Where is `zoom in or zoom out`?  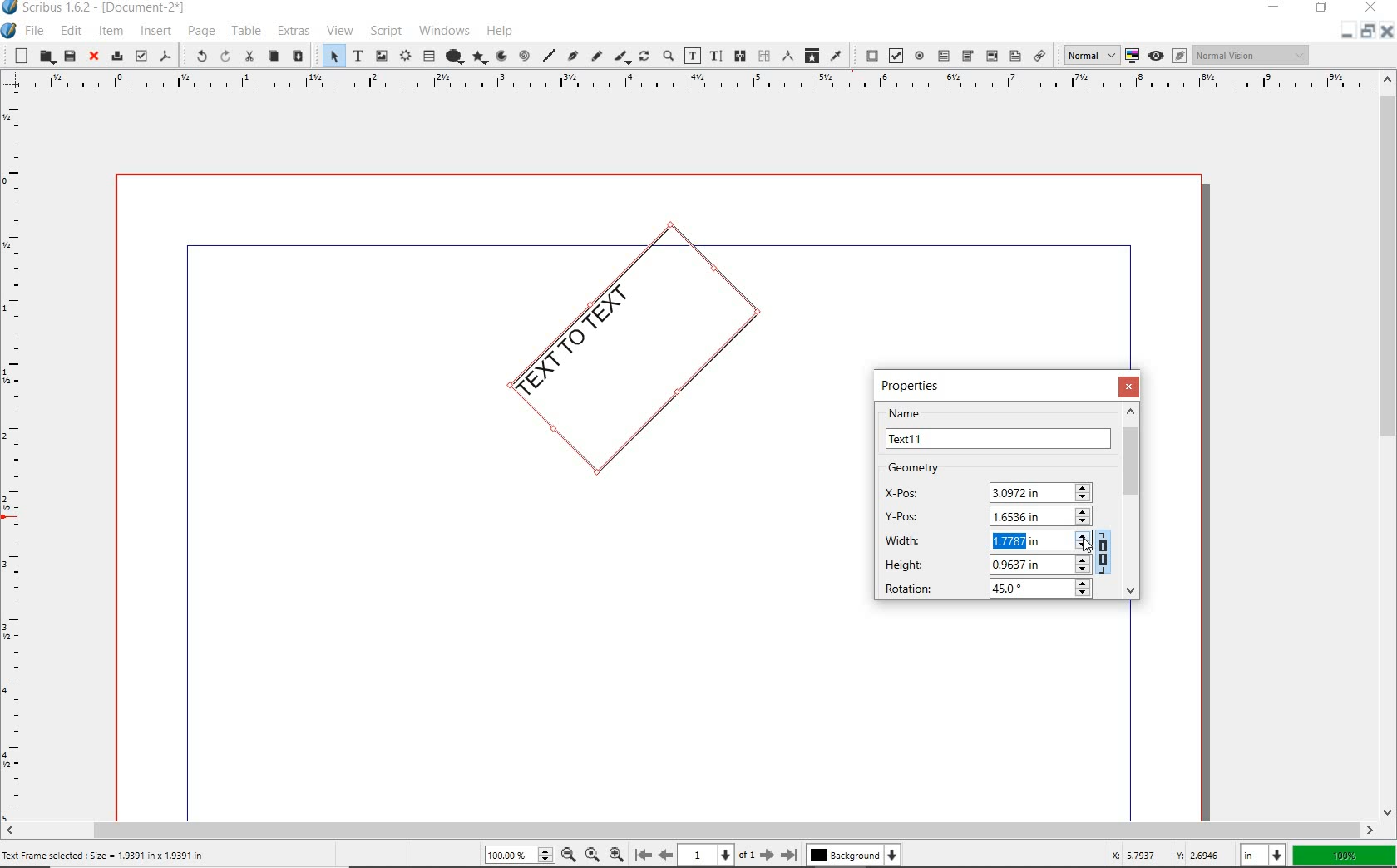 zoom in or zoom out is located at coordinates (668, 57).